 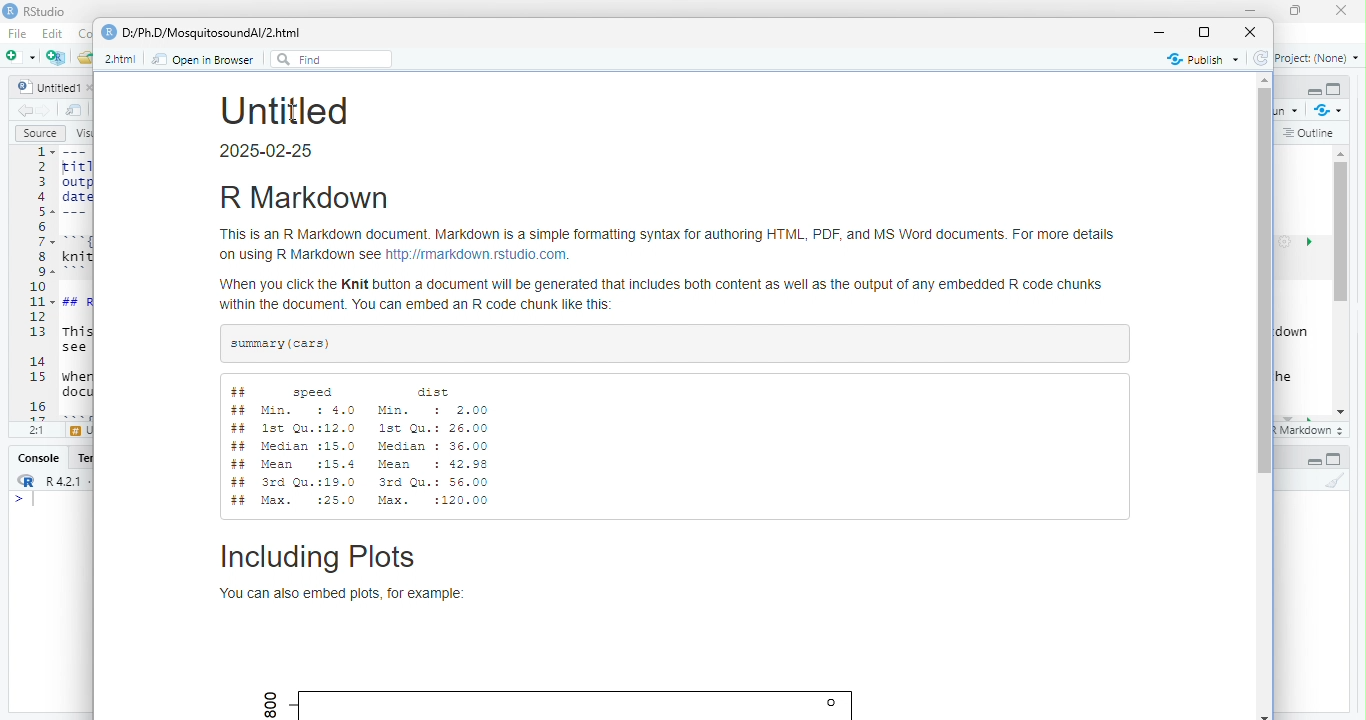 What do you see at coordinates (41, 133) in the screenshot?
I see `Source` at bounding box center [41, 133].